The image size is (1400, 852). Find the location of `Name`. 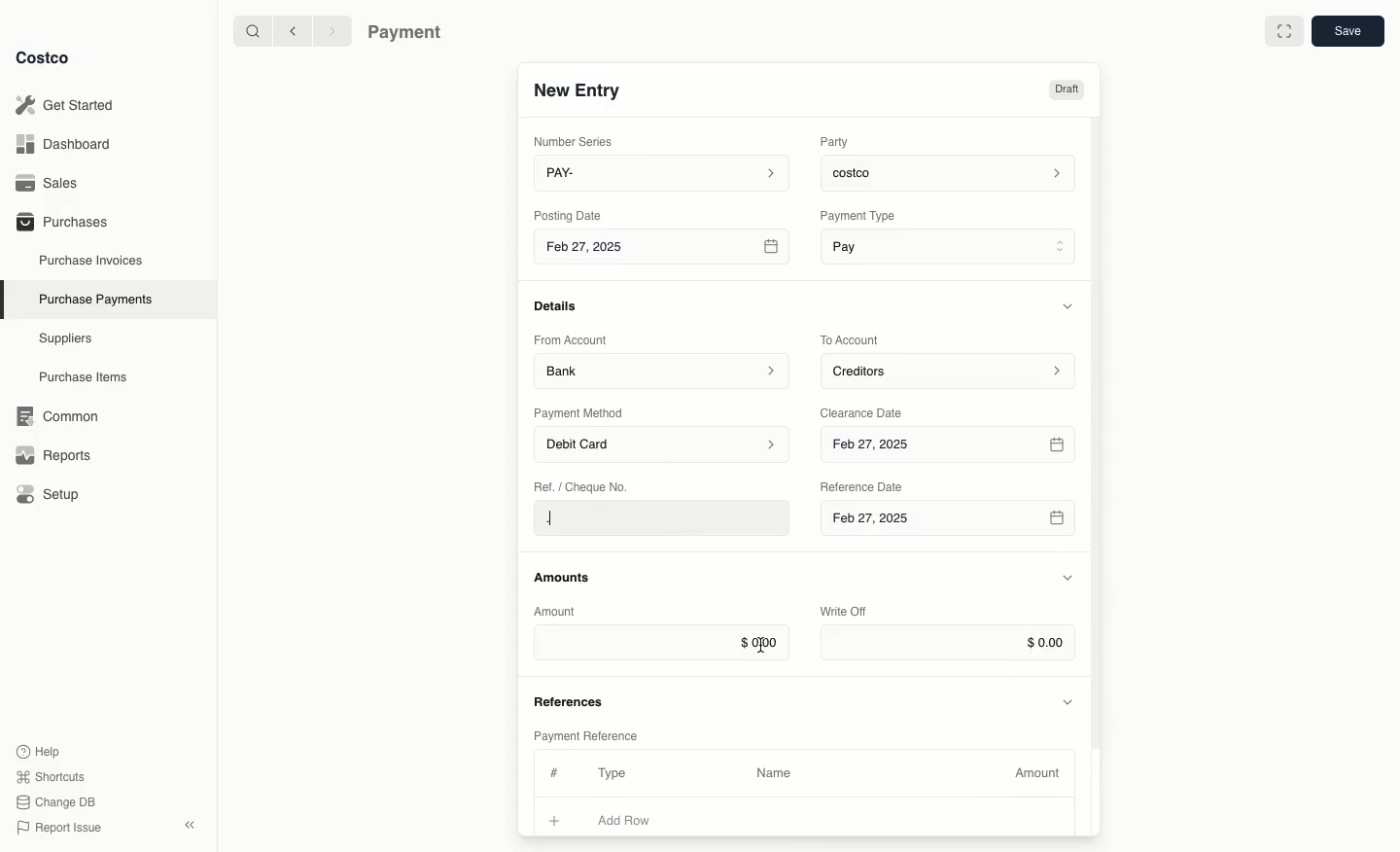

Name is located at coordinates (774, 773).